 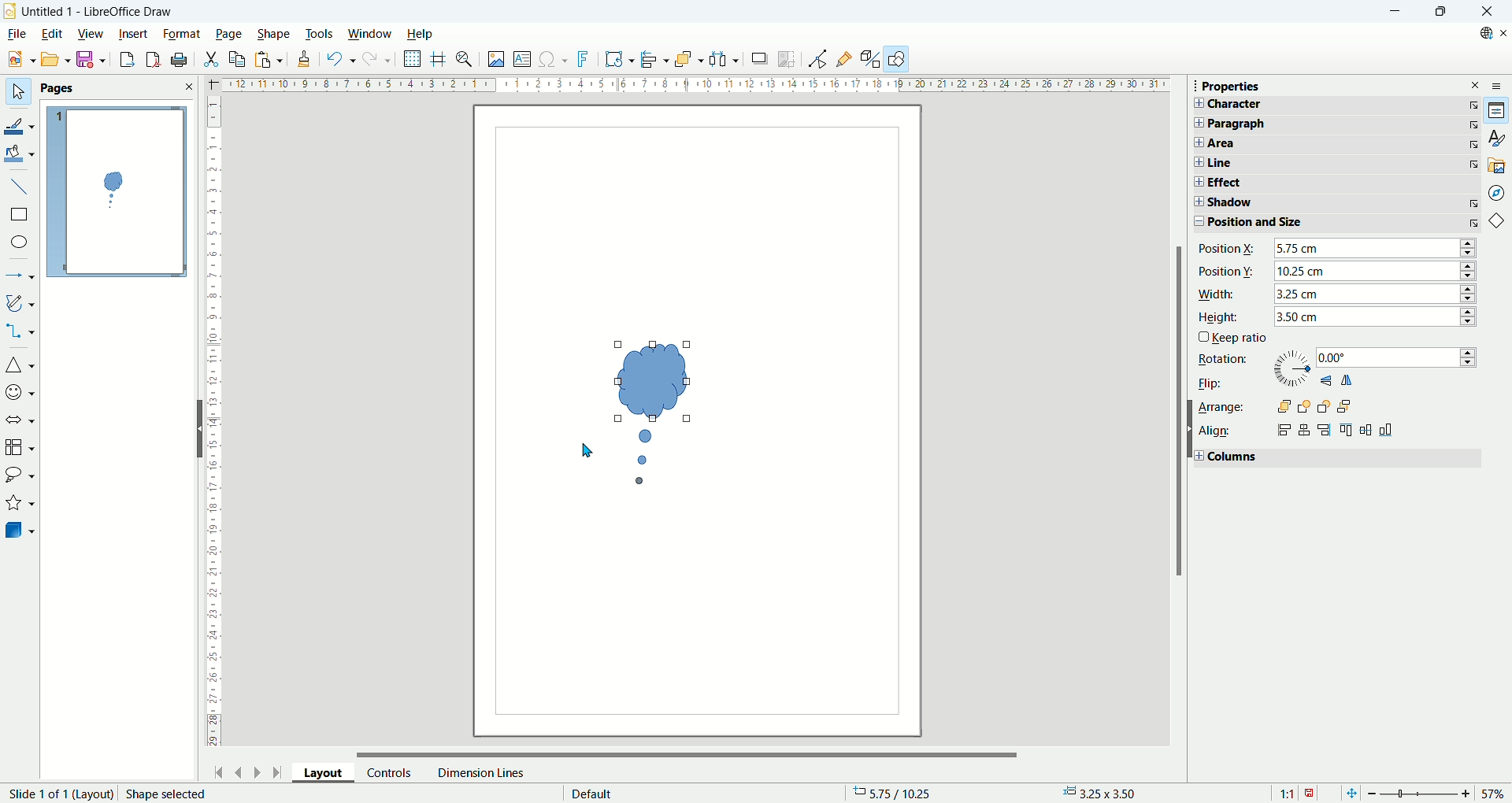 What do you see at coordinates (592, 791) in the screenshot?
I see `default` at bounding box center [592, 791].